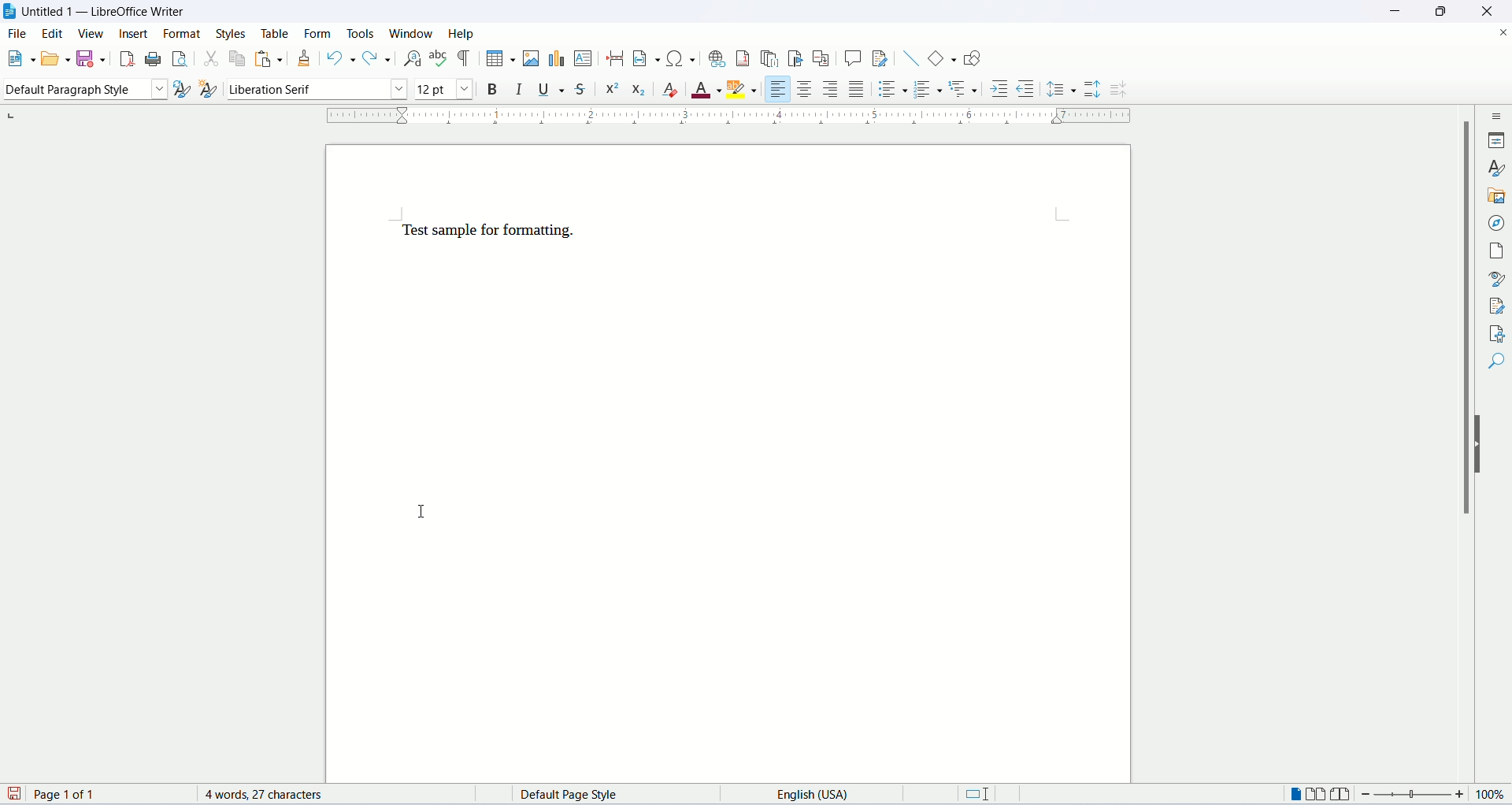 This screenshot has width=1512, height=805. Describe the element at coordinates (821, 58) in the screenshot. I see `insert cross reference` at that location.